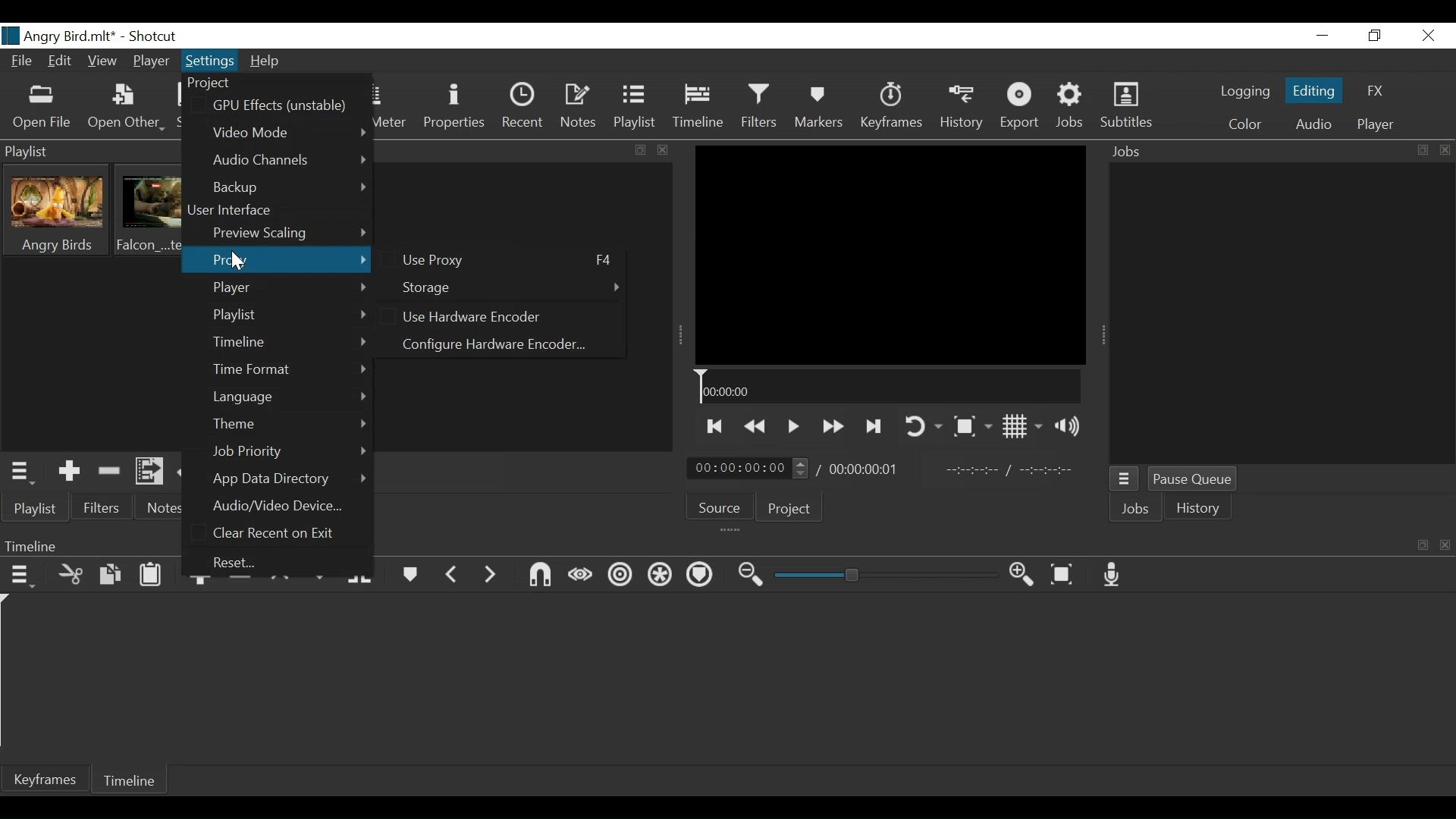 The width and height of the screenshot is (1456, 819). Describe the element at coordinates (149, 62) in the screenshot. I see `Player` at that location.